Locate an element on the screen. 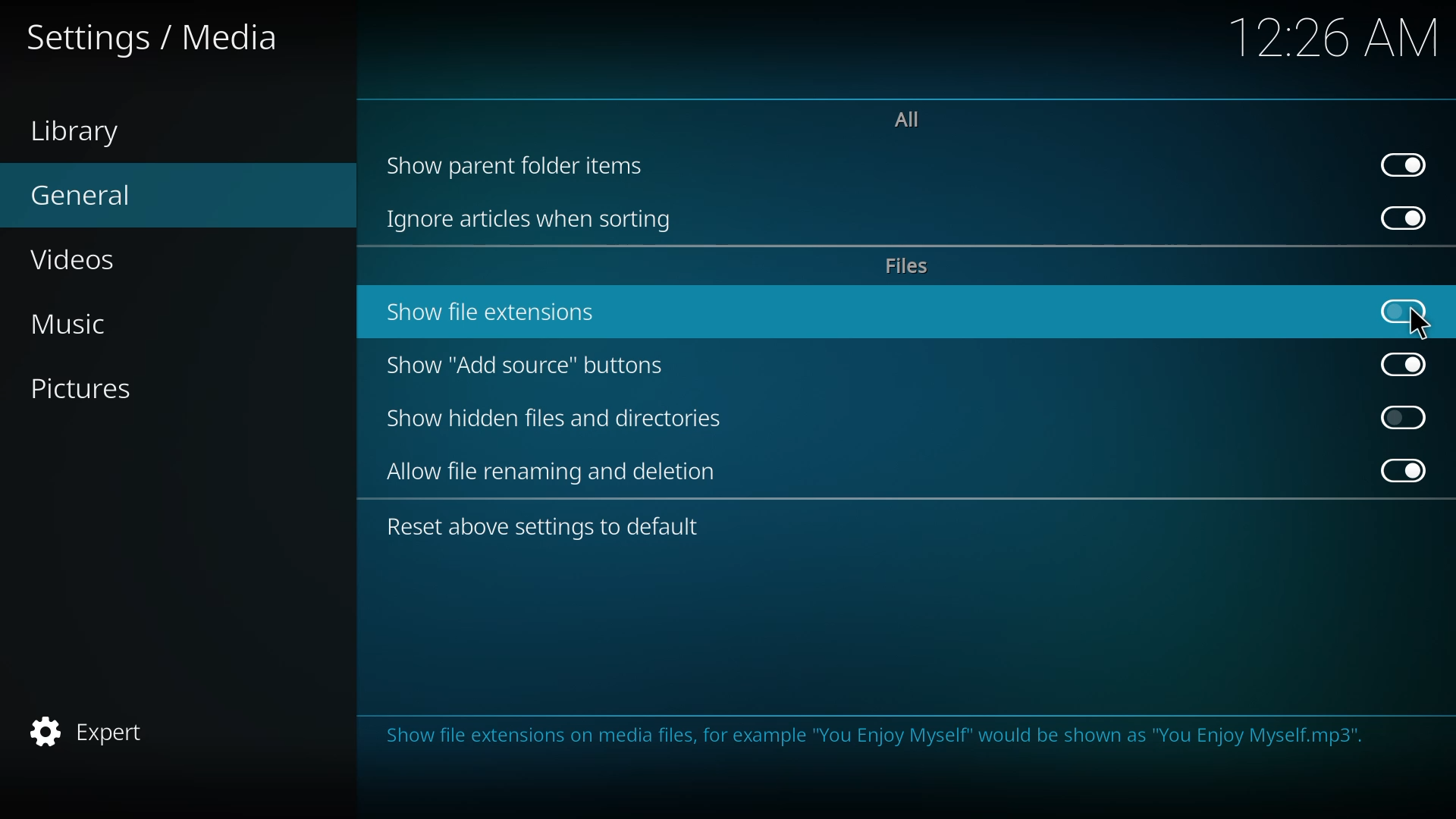  enabled is located at coordinates (1409, 164).